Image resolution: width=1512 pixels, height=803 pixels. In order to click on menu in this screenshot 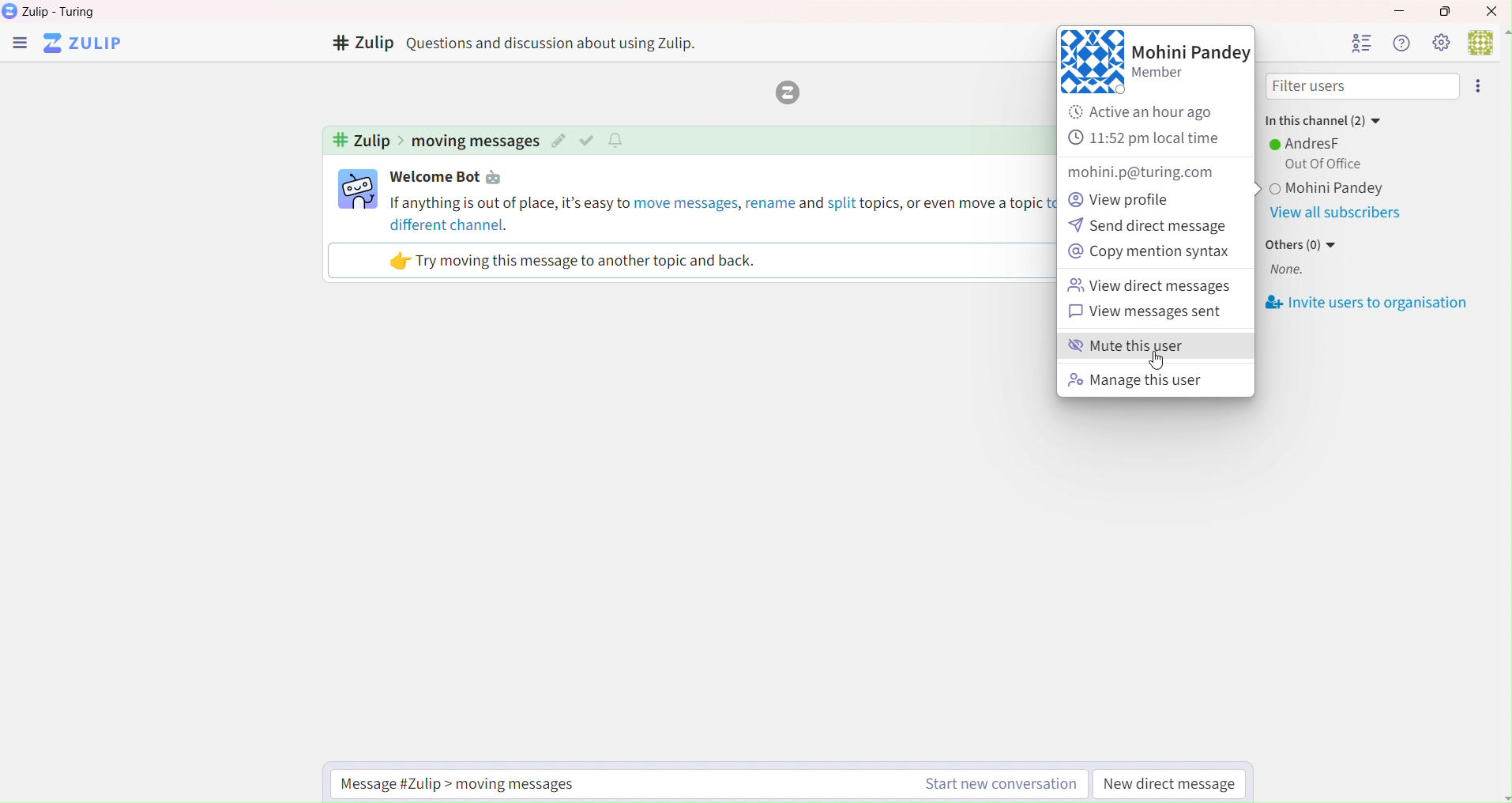, I will do `click(19, 45)`.